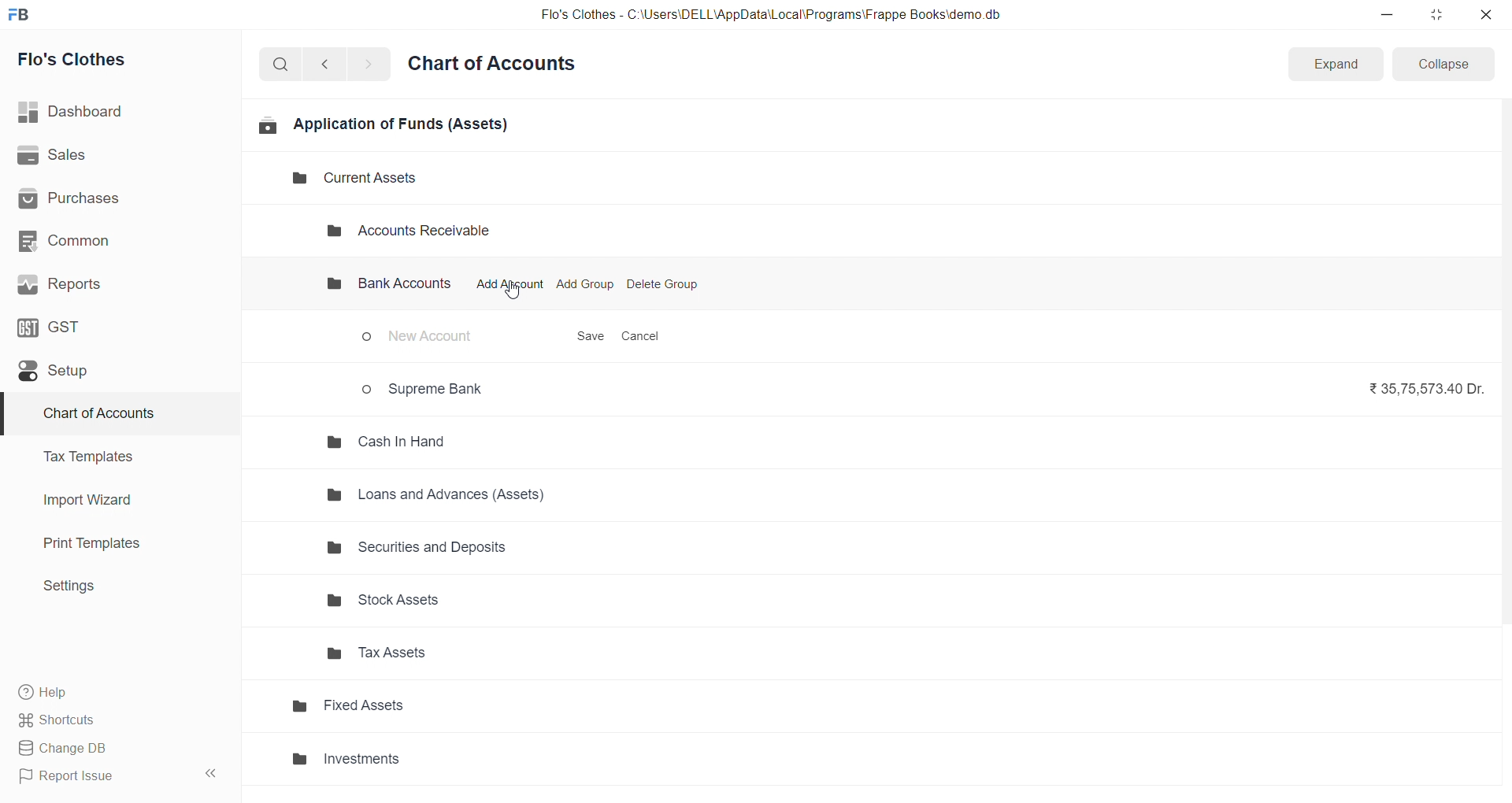 Image resolution: width=1512 pixels, height=803 pixels. I want to click on Collapse, so click(1444, 63).